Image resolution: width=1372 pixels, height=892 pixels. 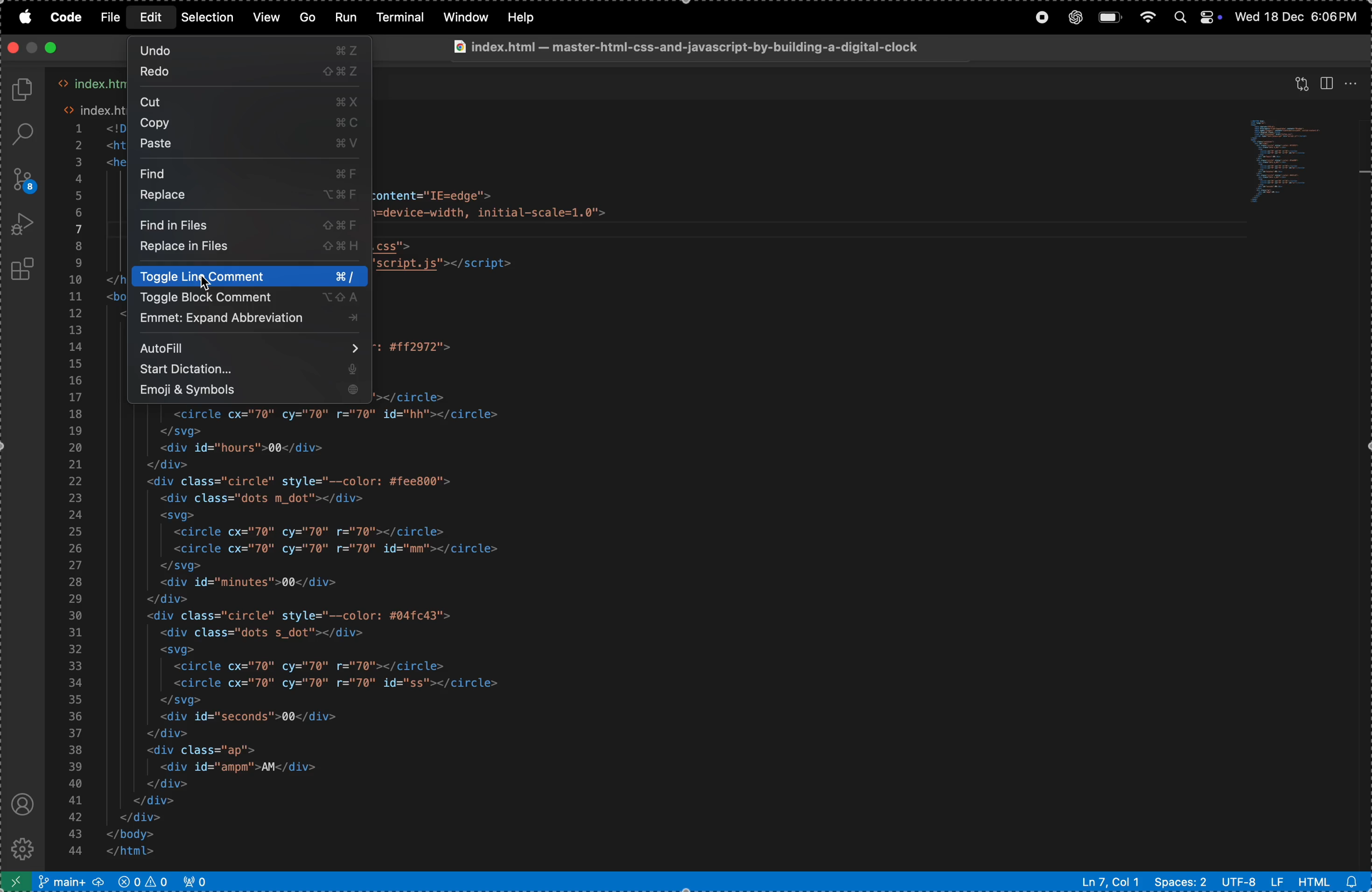 What do you see at coordinates (1331, 880) in the screenshot?
I see `html file` at bounding box center [1331, 880].